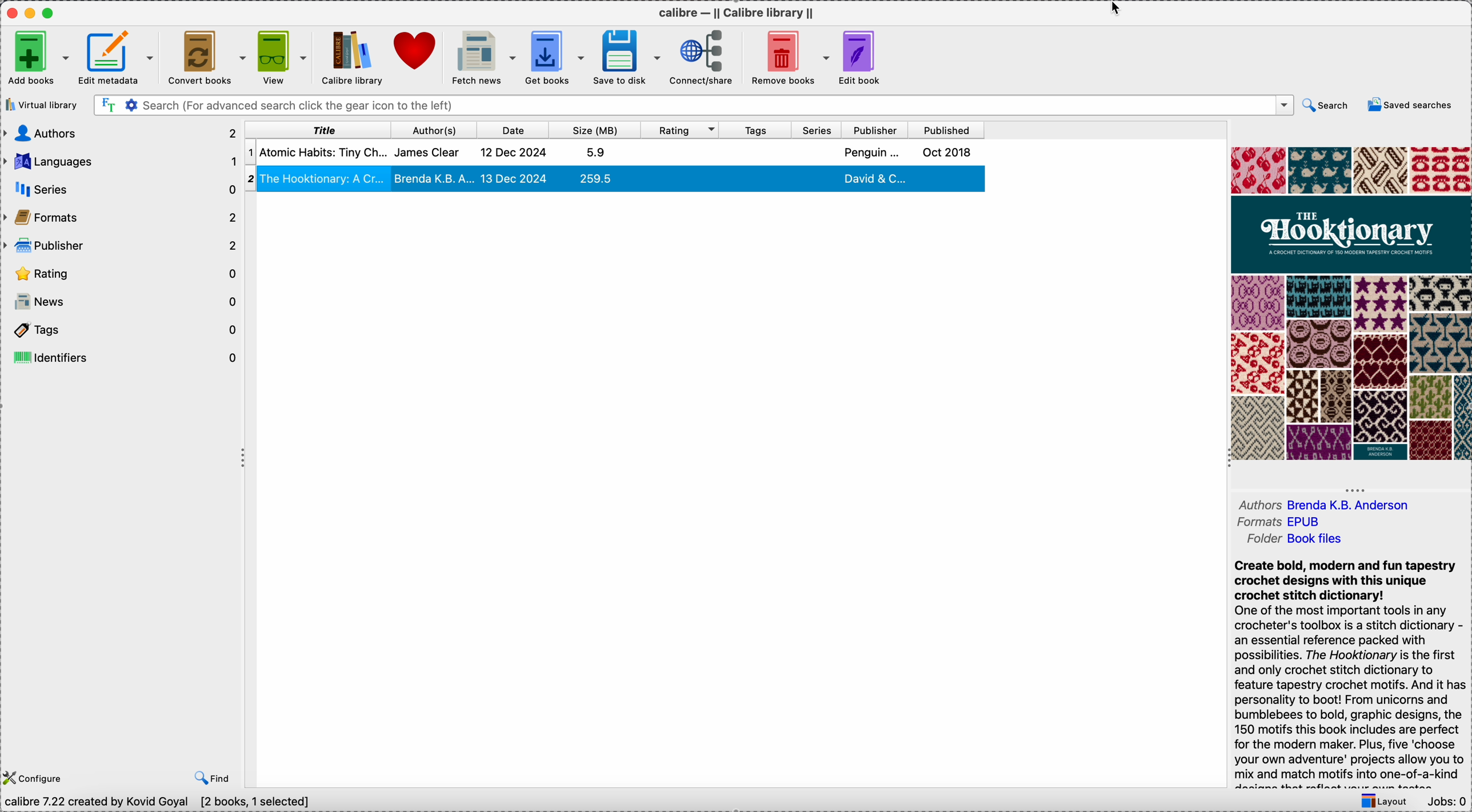  I want to click on rating, so click(123, 272).